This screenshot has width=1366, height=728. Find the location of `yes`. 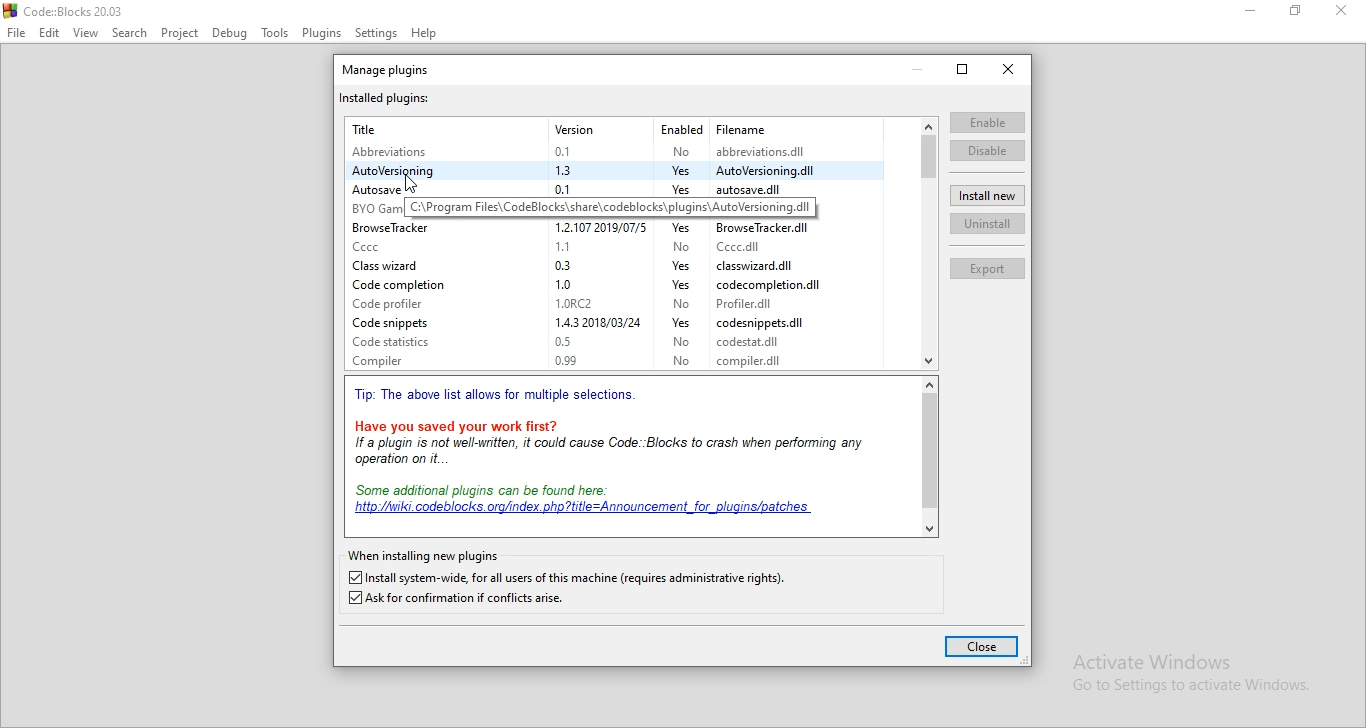

yes is located at coordinates (680, 228).